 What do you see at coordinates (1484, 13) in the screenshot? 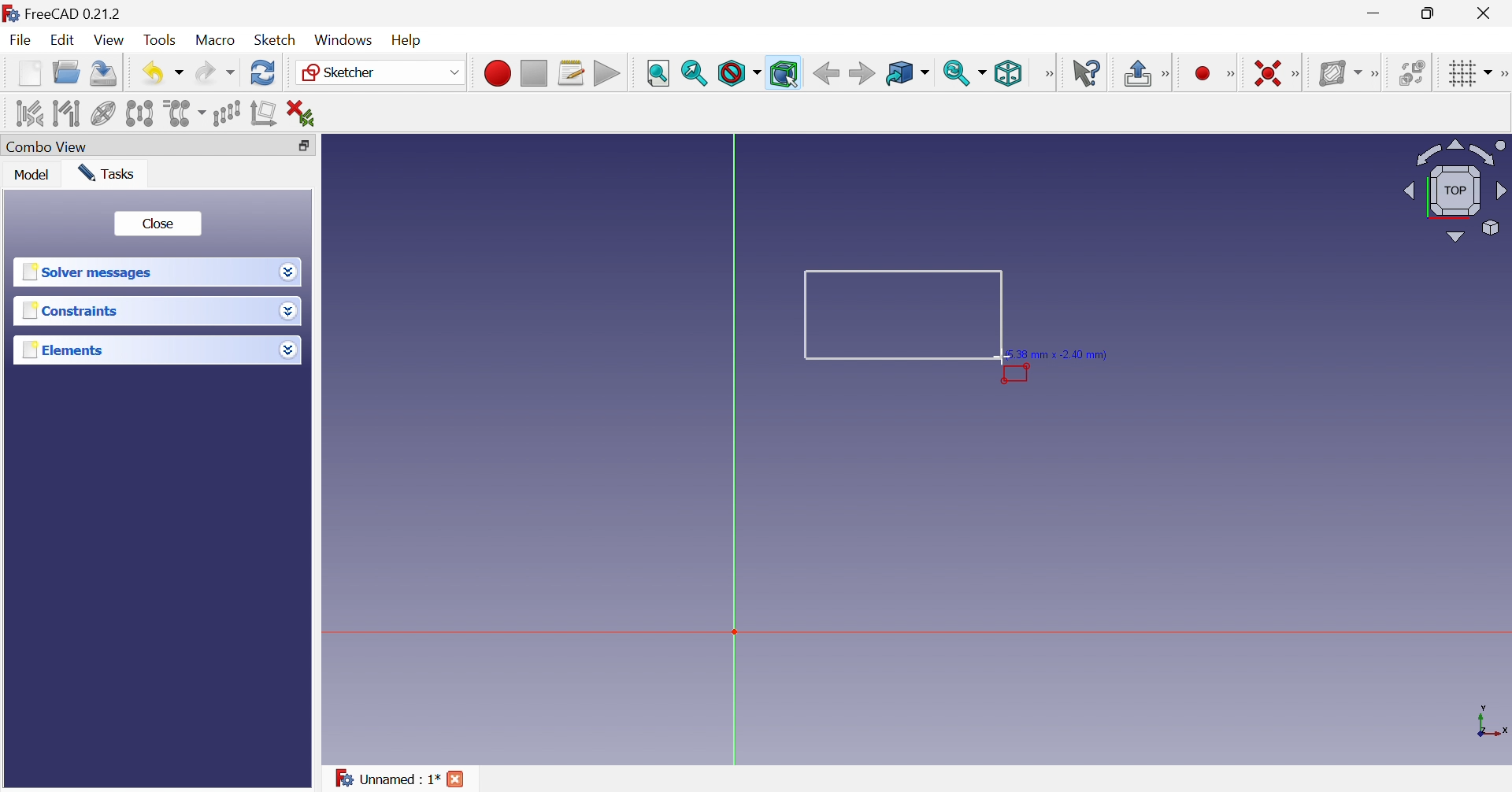
I see `Close` at bounding box center [1484, 13].